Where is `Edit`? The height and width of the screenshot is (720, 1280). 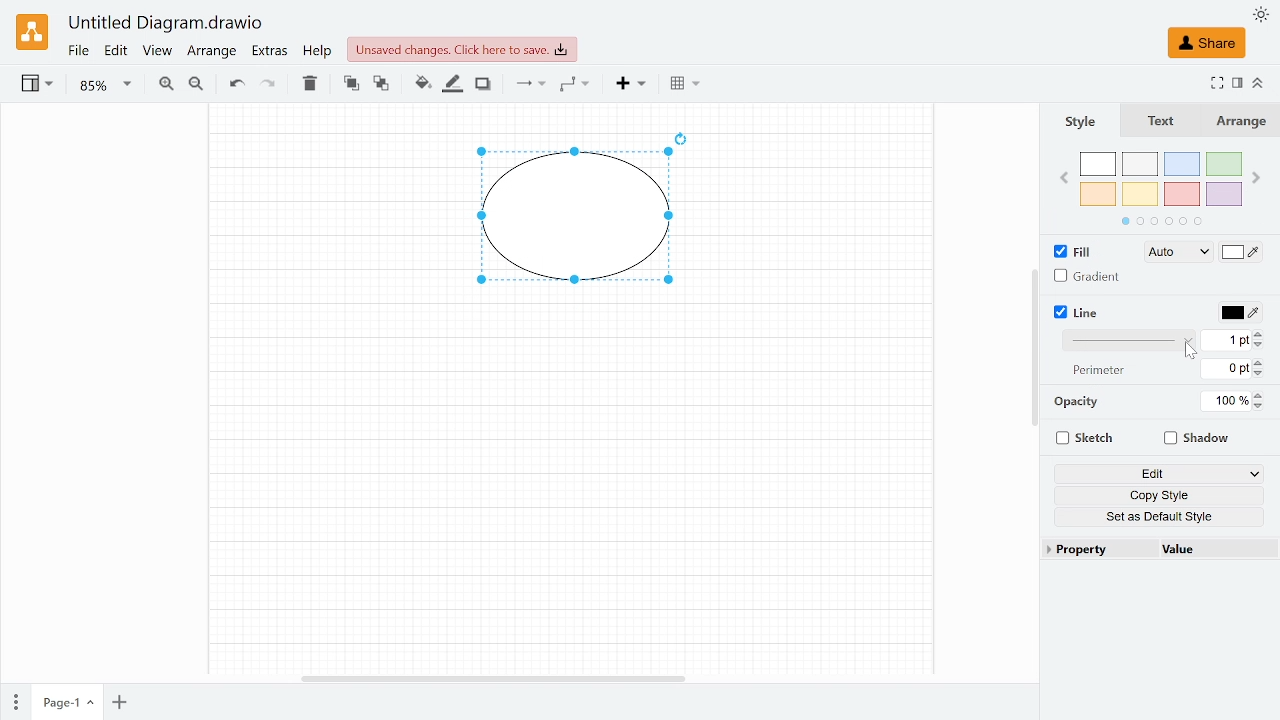
Edit is located at coordinates (115, 51).